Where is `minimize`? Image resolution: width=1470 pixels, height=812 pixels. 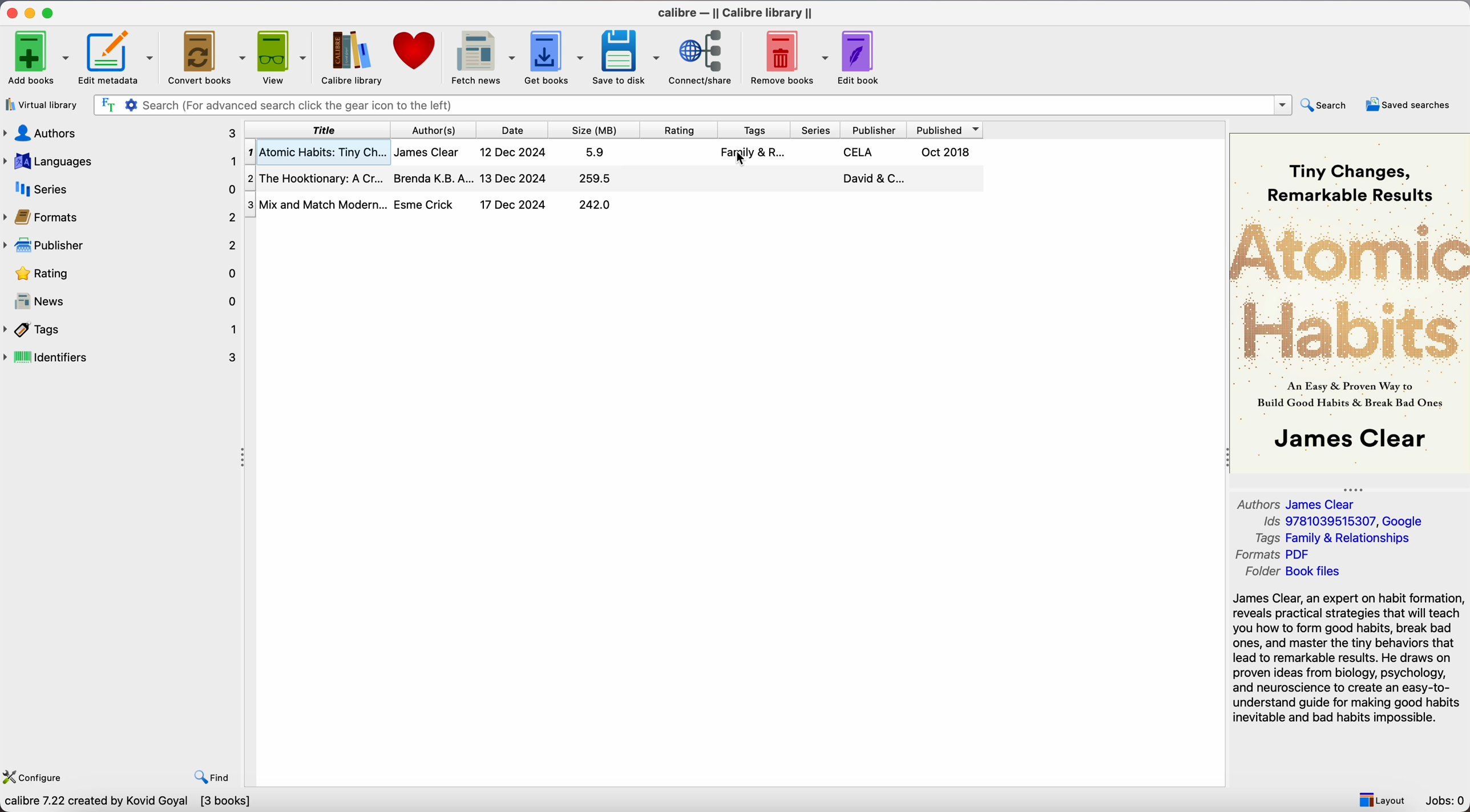 minimize is located at coordinates (32, 14).